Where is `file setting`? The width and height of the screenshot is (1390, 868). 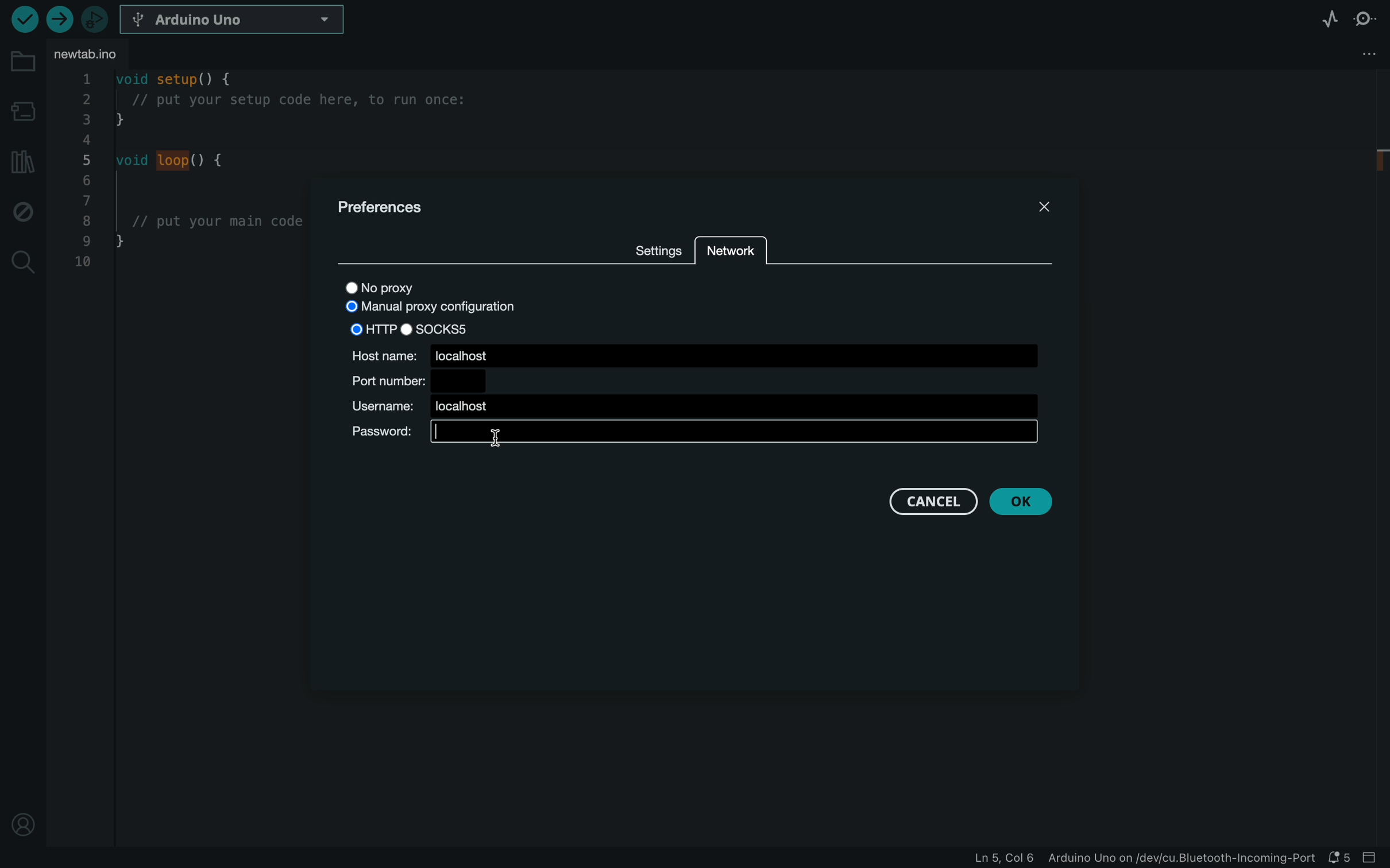
file setting is located at coordinates (1346, 55).